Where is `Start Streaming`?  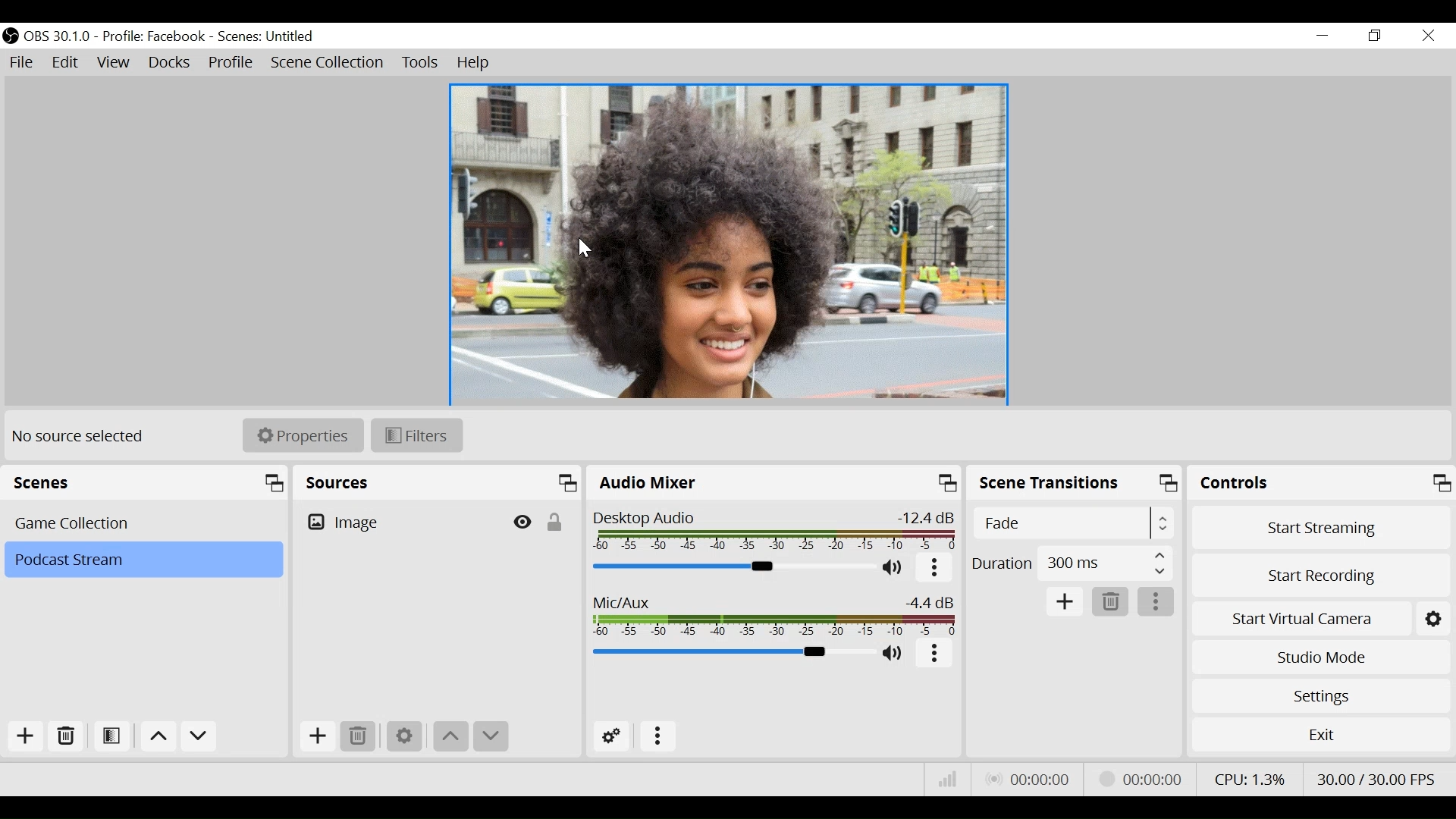
Start Streaming is located at coordinates (1320, 526).